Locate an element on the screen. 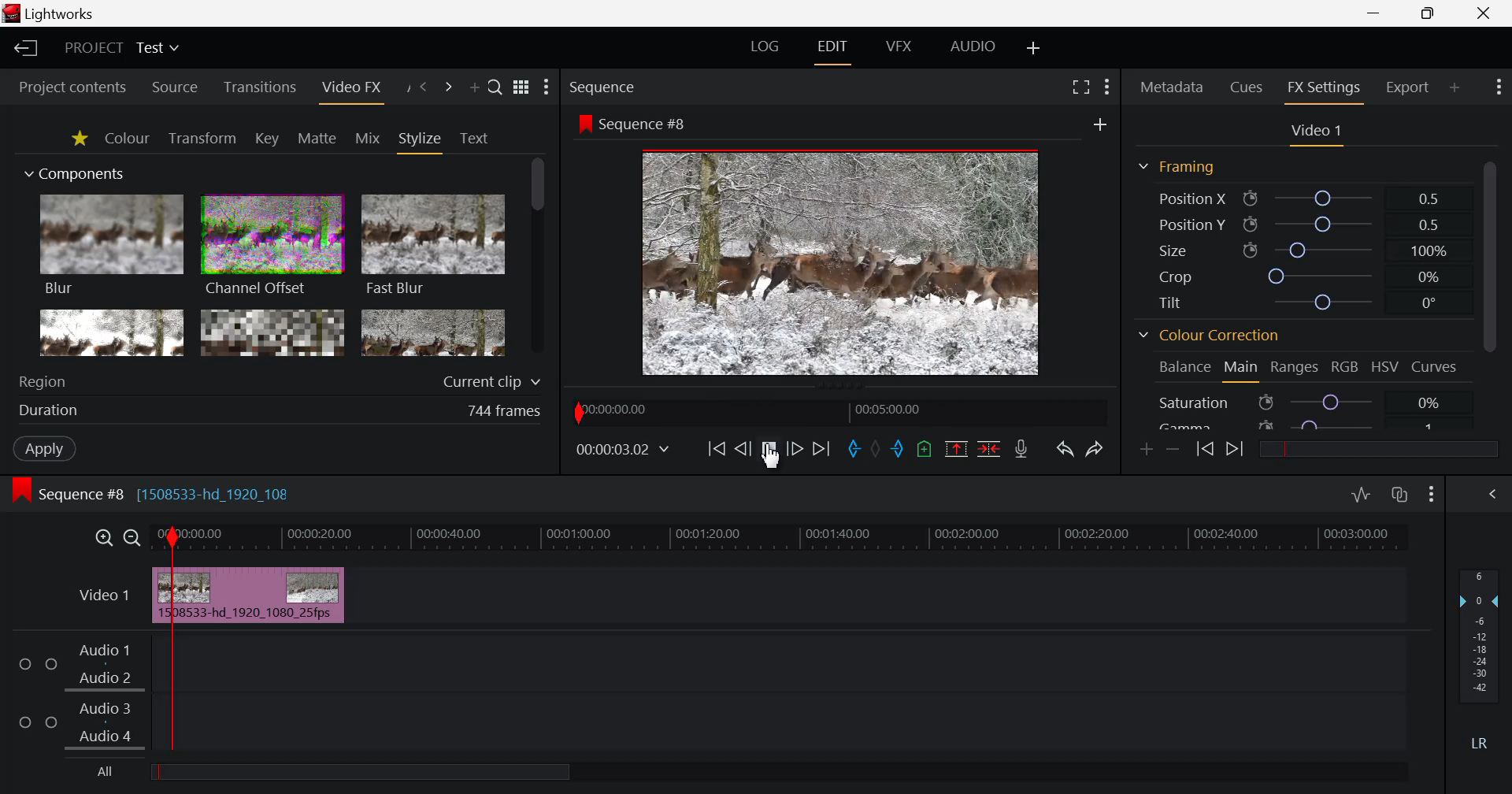  Timeline Track is located at coordinates (784, 540).